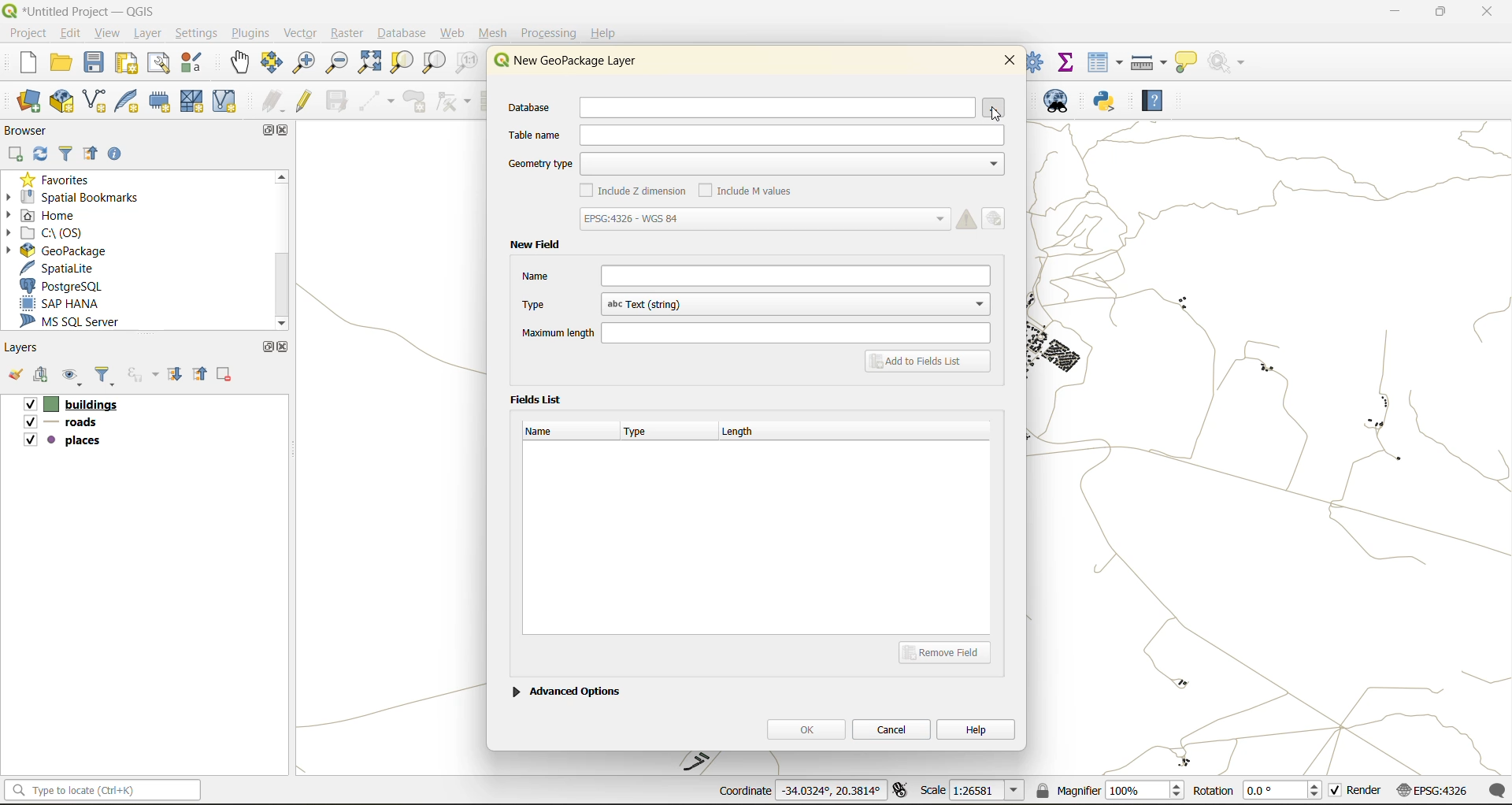 The image size is (1512, 805). Describe the element at coordinates (754, 163) in the screenshot. I see `geometry type` at that location.